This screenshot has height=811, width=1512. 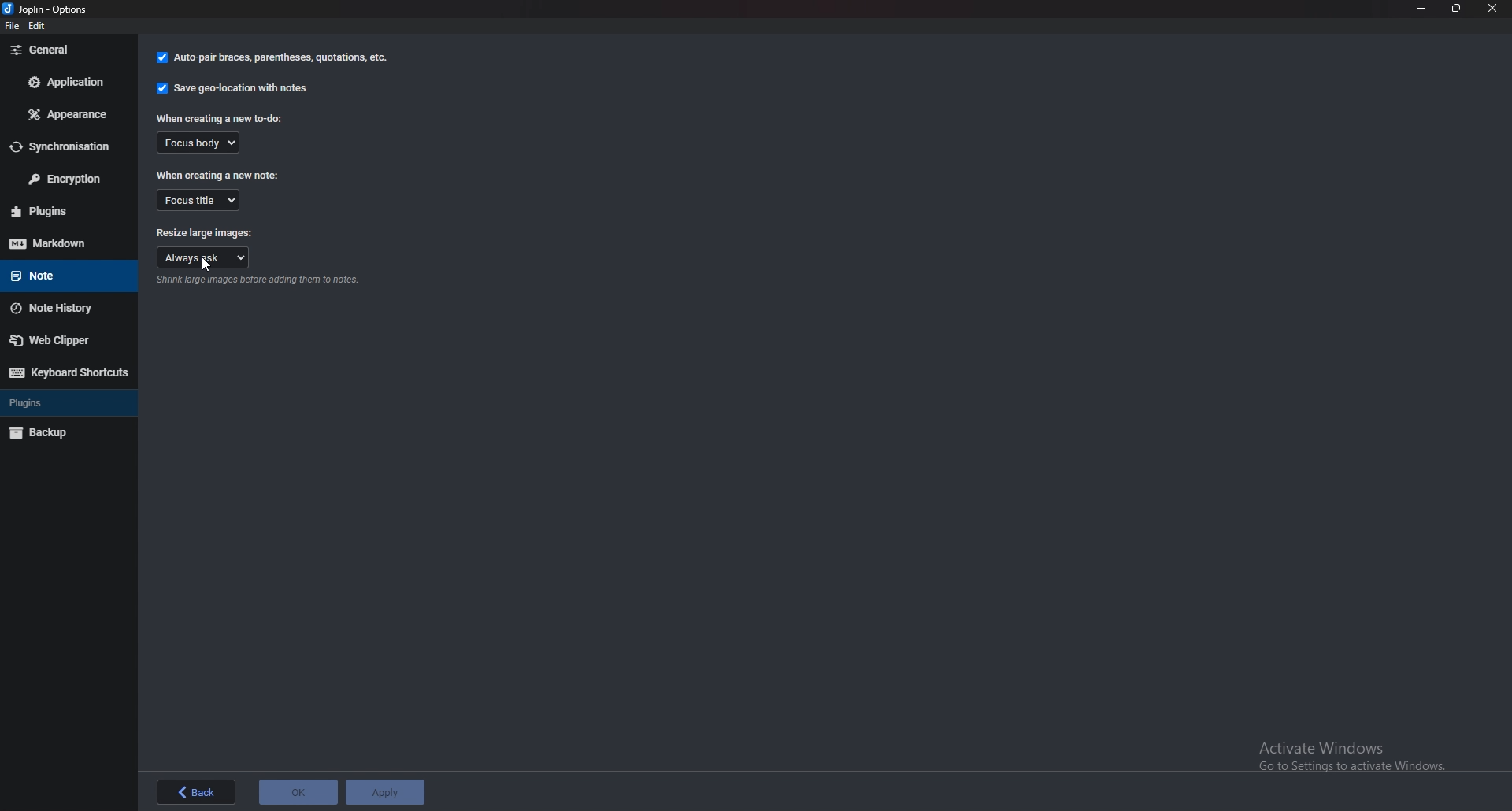 I want to click on Focus title, so click(x=199, y=199).